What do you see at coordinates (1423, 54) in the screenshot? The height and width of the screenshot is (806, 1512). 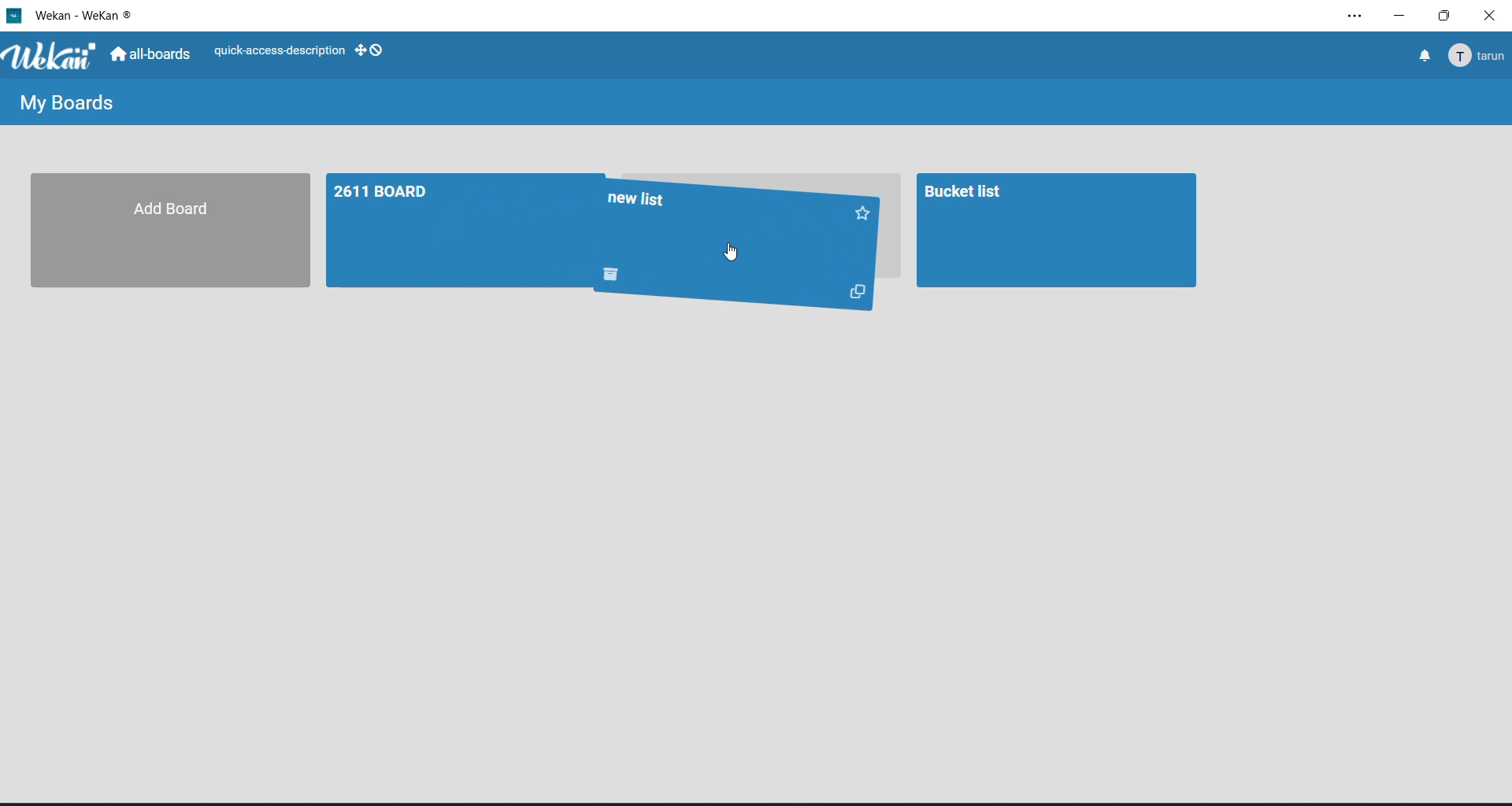 I see `notifications` at bounding box center [1423, 54].